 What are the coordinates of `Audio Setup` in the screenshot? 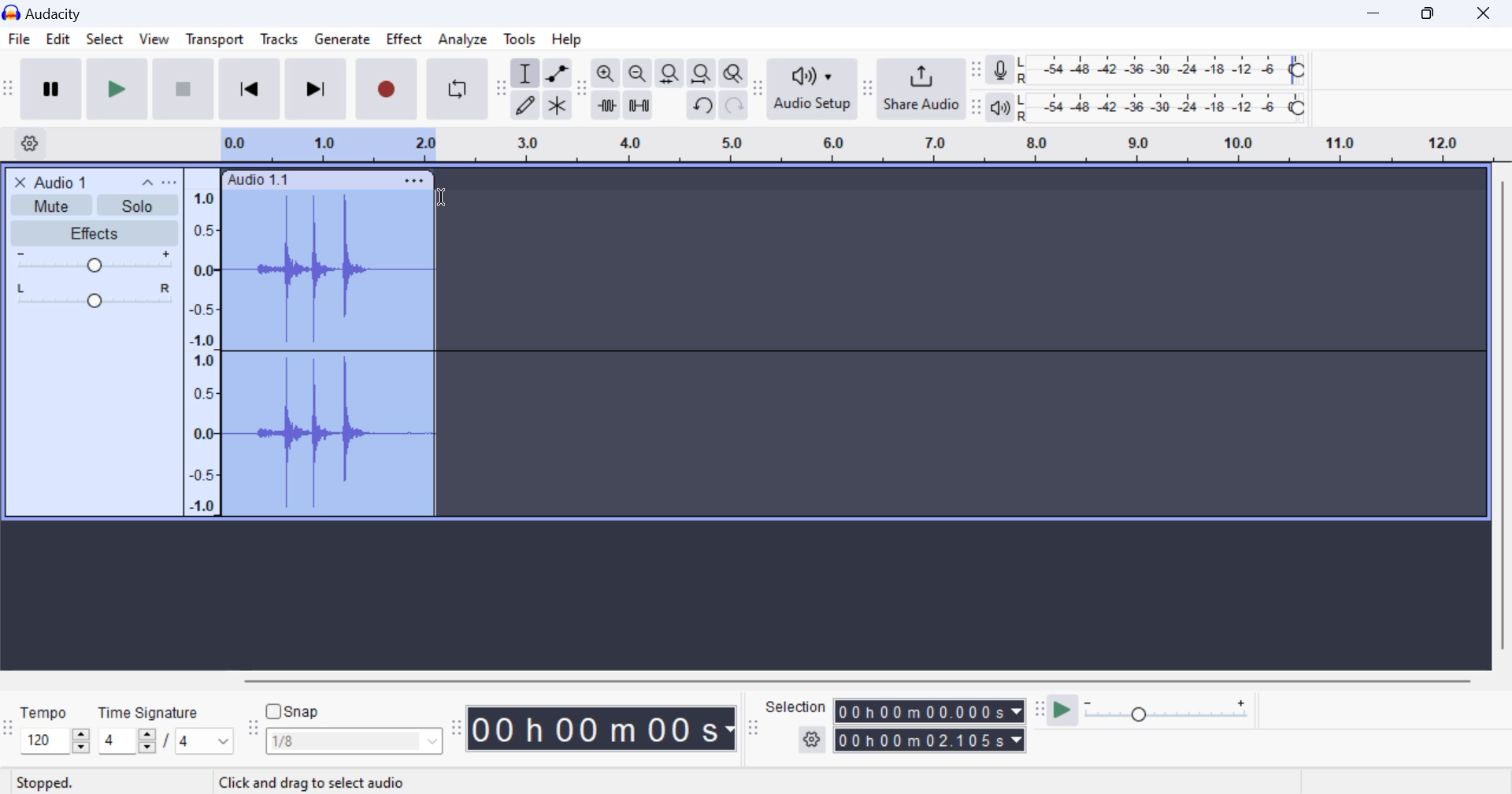 It's located at (811, 88).